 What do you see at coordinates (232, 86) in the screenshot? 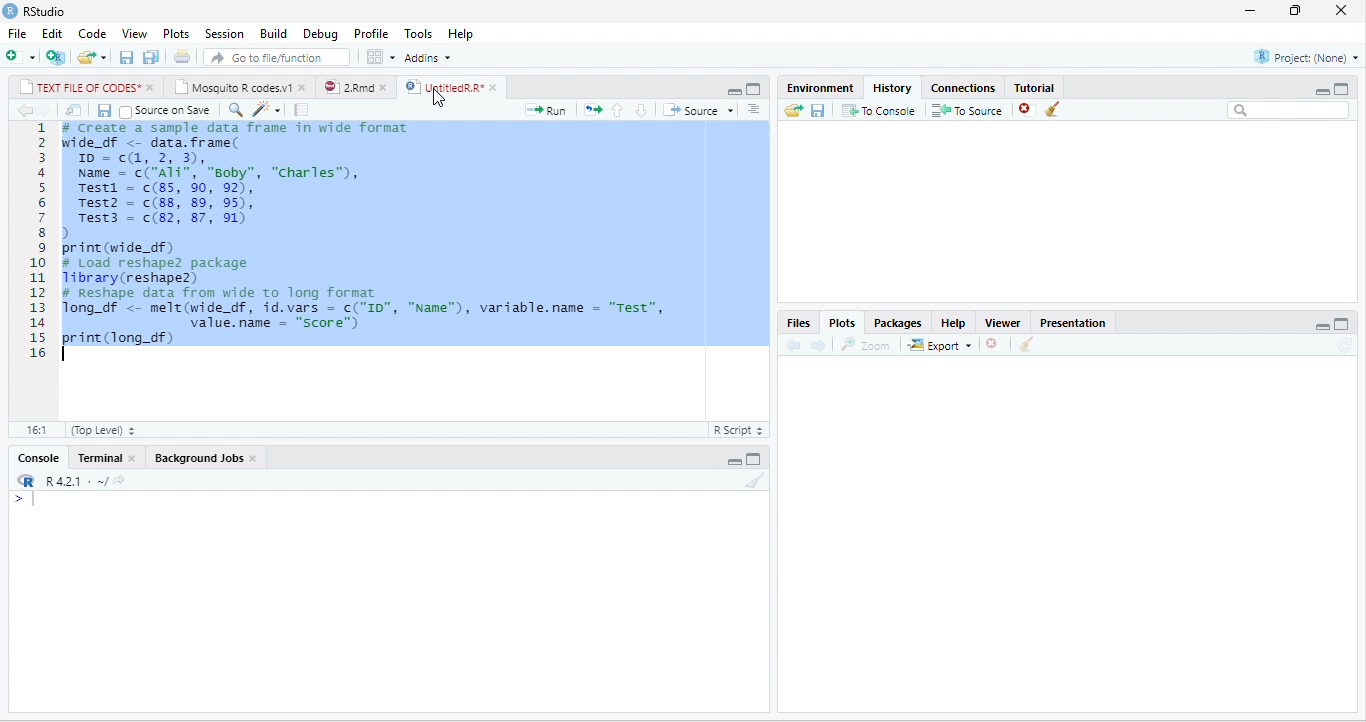
I see `Mosquito R codes.v1` at bounding box center [232, 86].